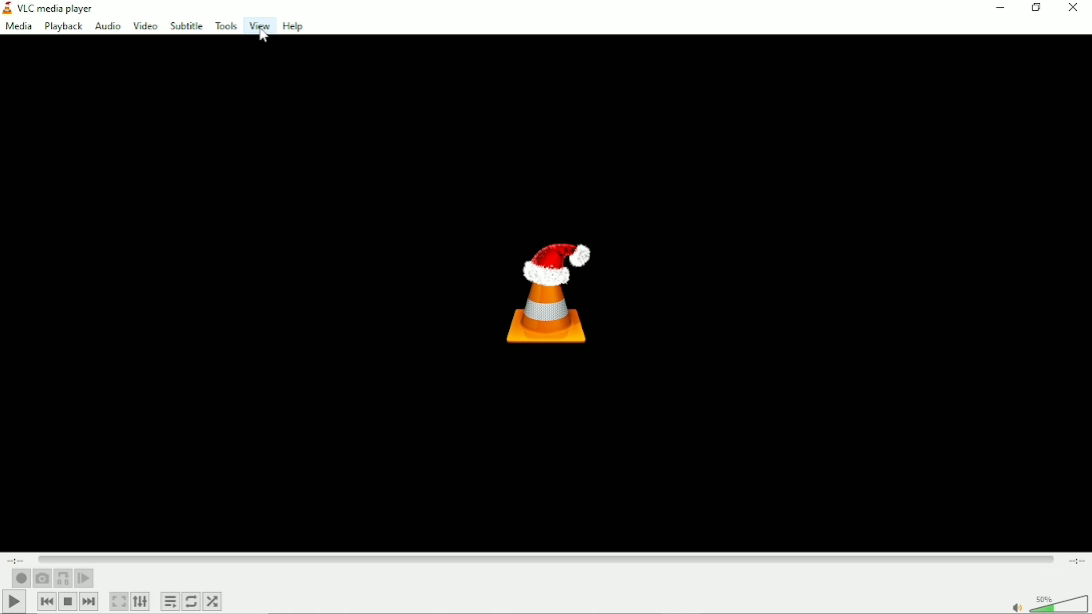 This screenshot has width=1092, height=614. What do you see at coordinates (68, 602) in the screenshot?
I see `Stop playlist` at bounding box center [68, 602].